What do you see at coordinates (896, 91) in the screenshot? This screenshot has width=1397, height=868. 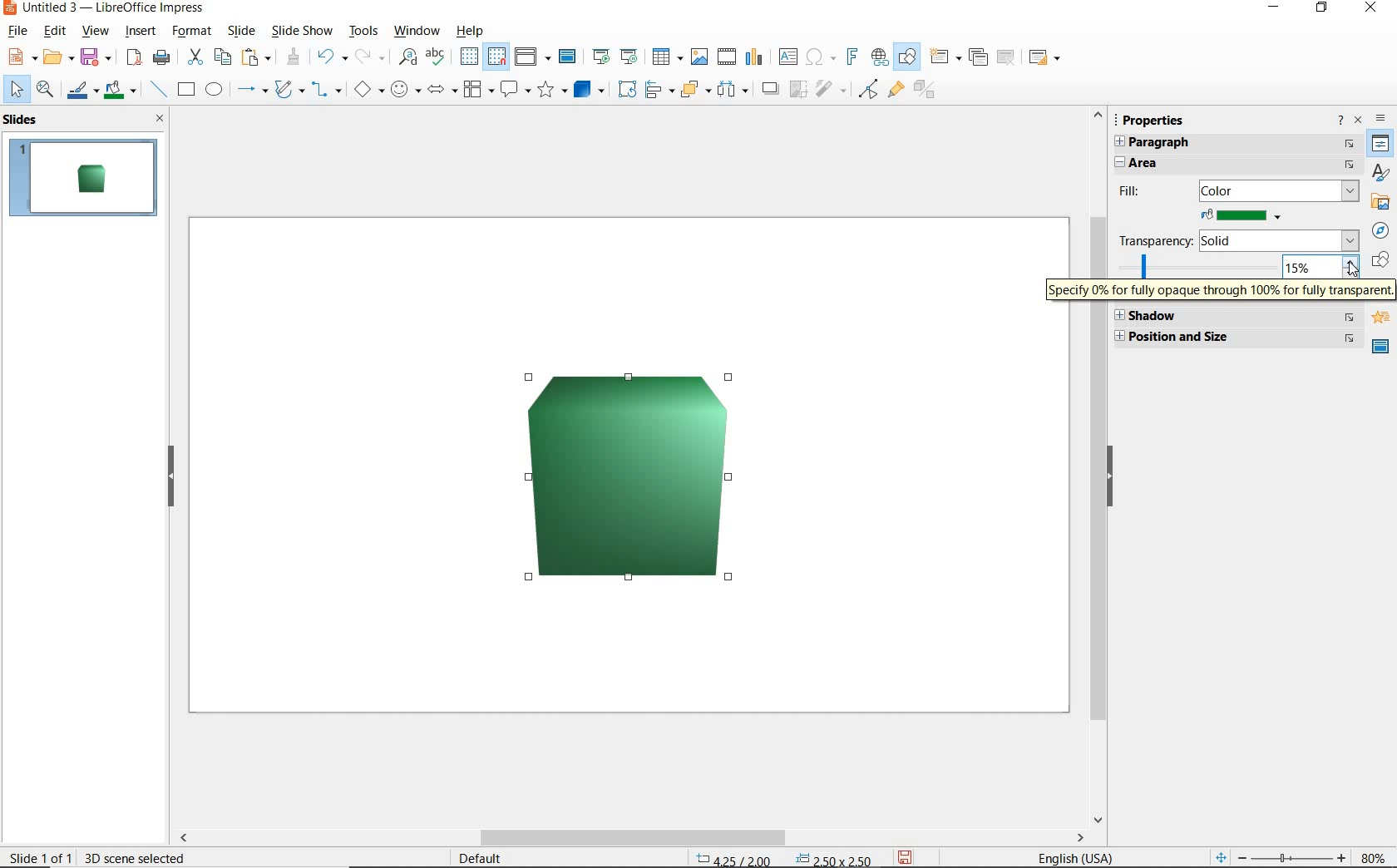 I see `SHOW GLUEPOINT FUNCTIONS` at bounding box center [896, 91].